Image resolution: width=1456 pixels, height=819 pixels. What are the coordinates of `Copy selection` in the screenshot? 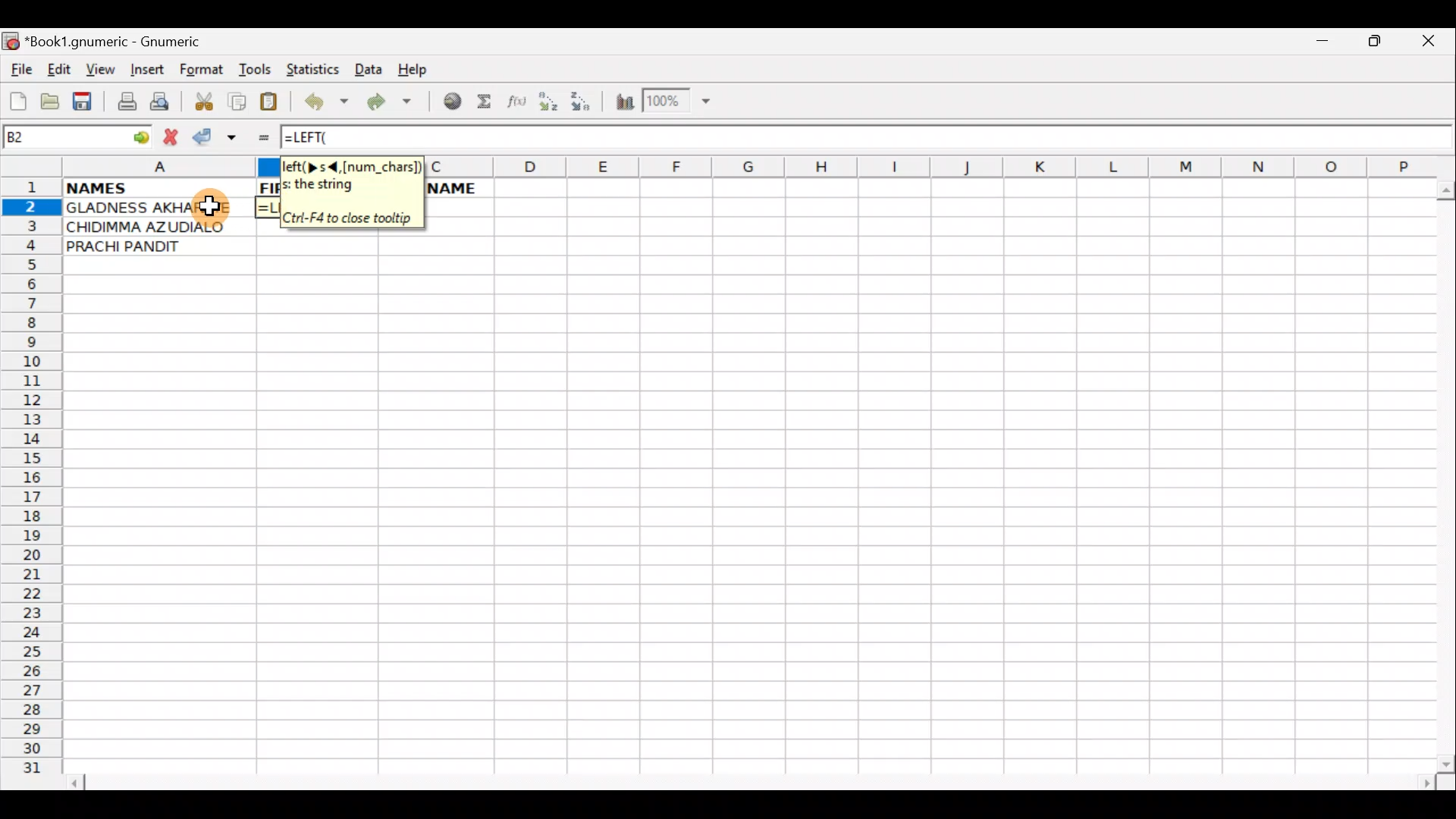 It's located at (238, 101).